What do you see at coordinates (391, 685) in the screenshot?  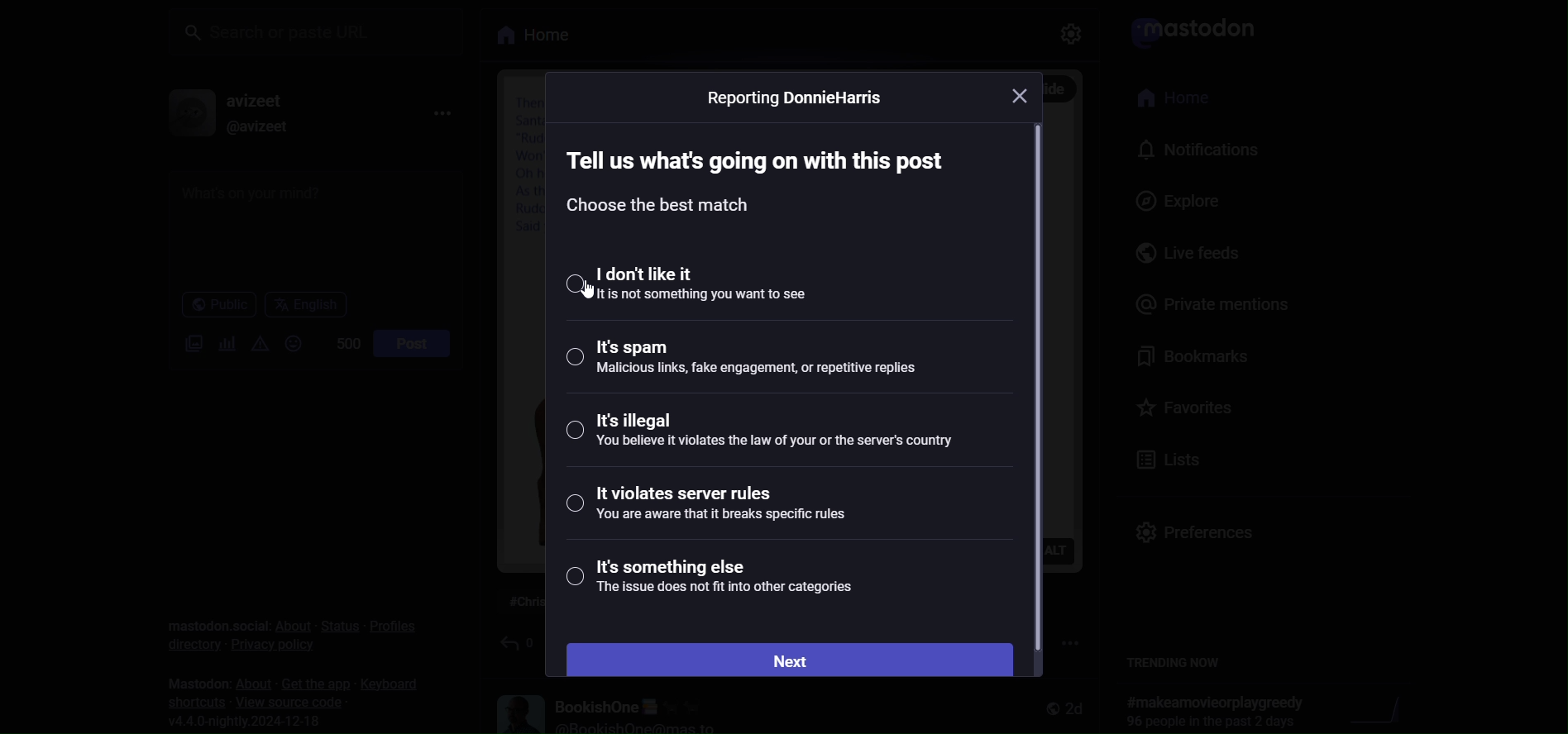 I see `keyboard` at bounding box center [391, 685].